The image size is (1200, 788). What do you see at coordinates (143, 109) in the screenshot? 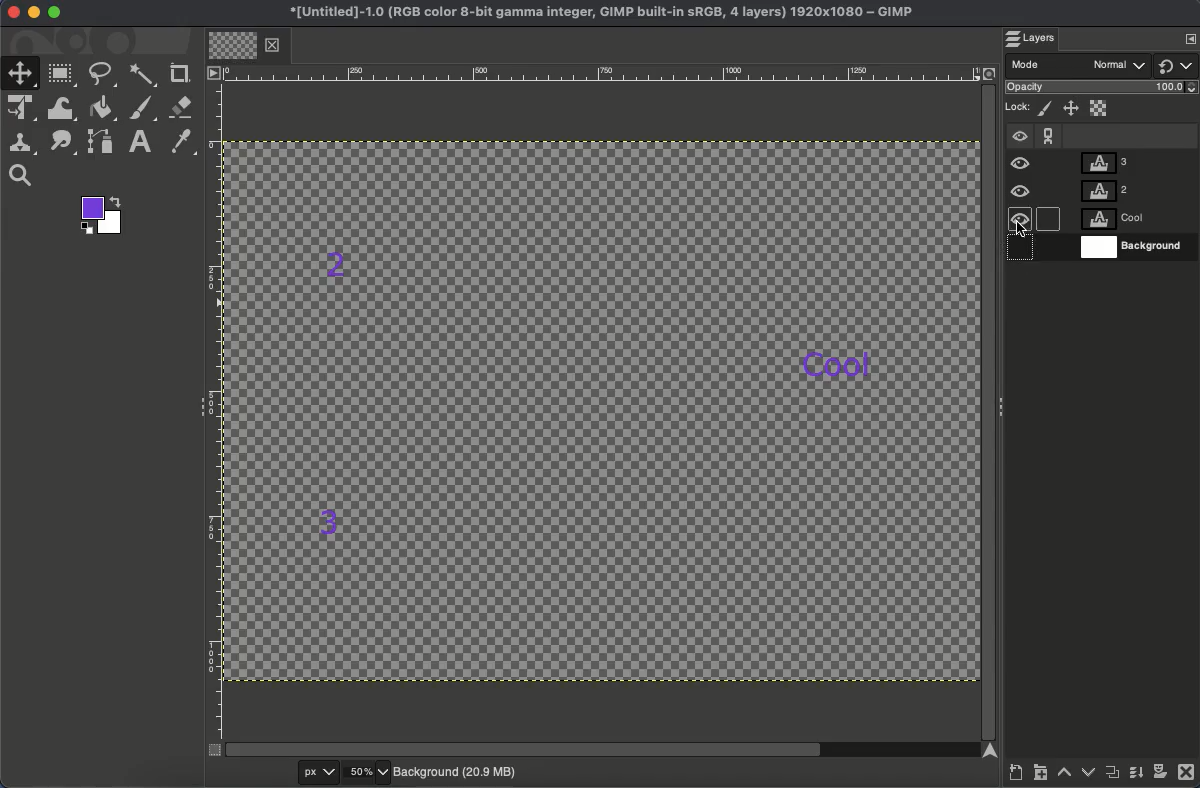
I see `Brush` at bounding box center [143, 109].